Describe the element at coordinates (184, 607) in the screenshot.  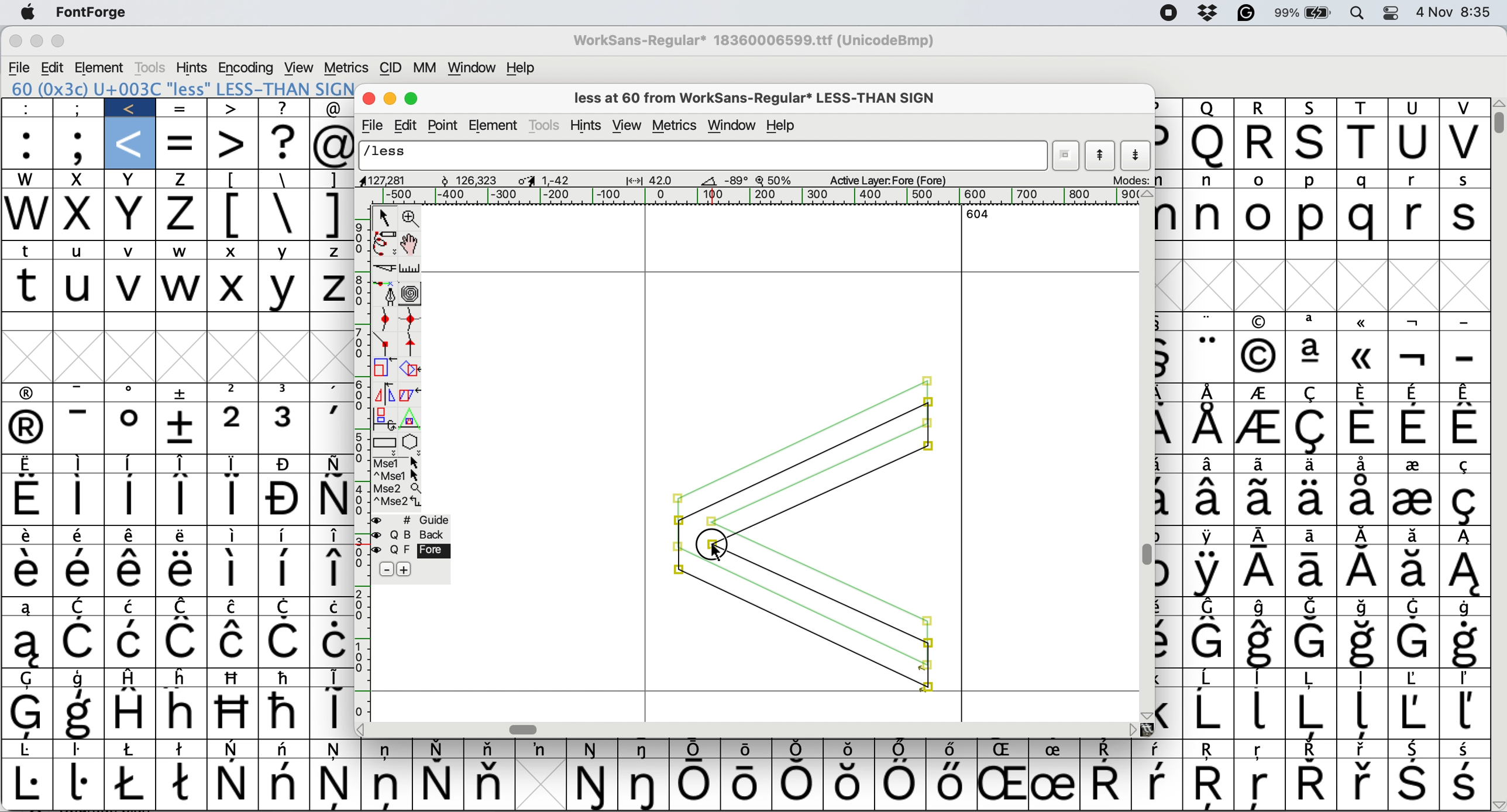
I see `Symbol` at that location.